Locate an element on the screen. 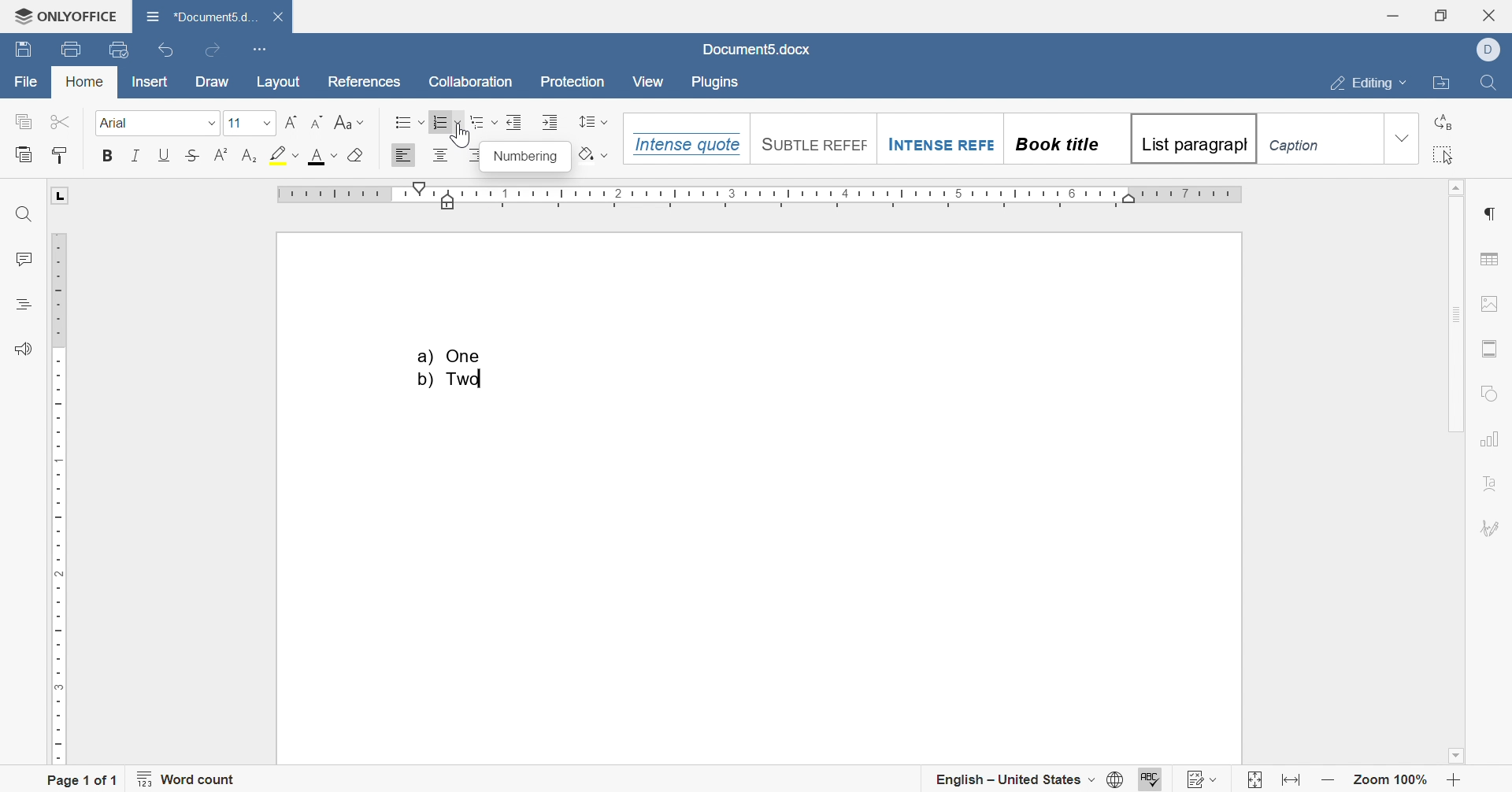 Image resolution: width=1512 pixels, height=792 pixels. feedback & support is located at coordinates (24, 348).